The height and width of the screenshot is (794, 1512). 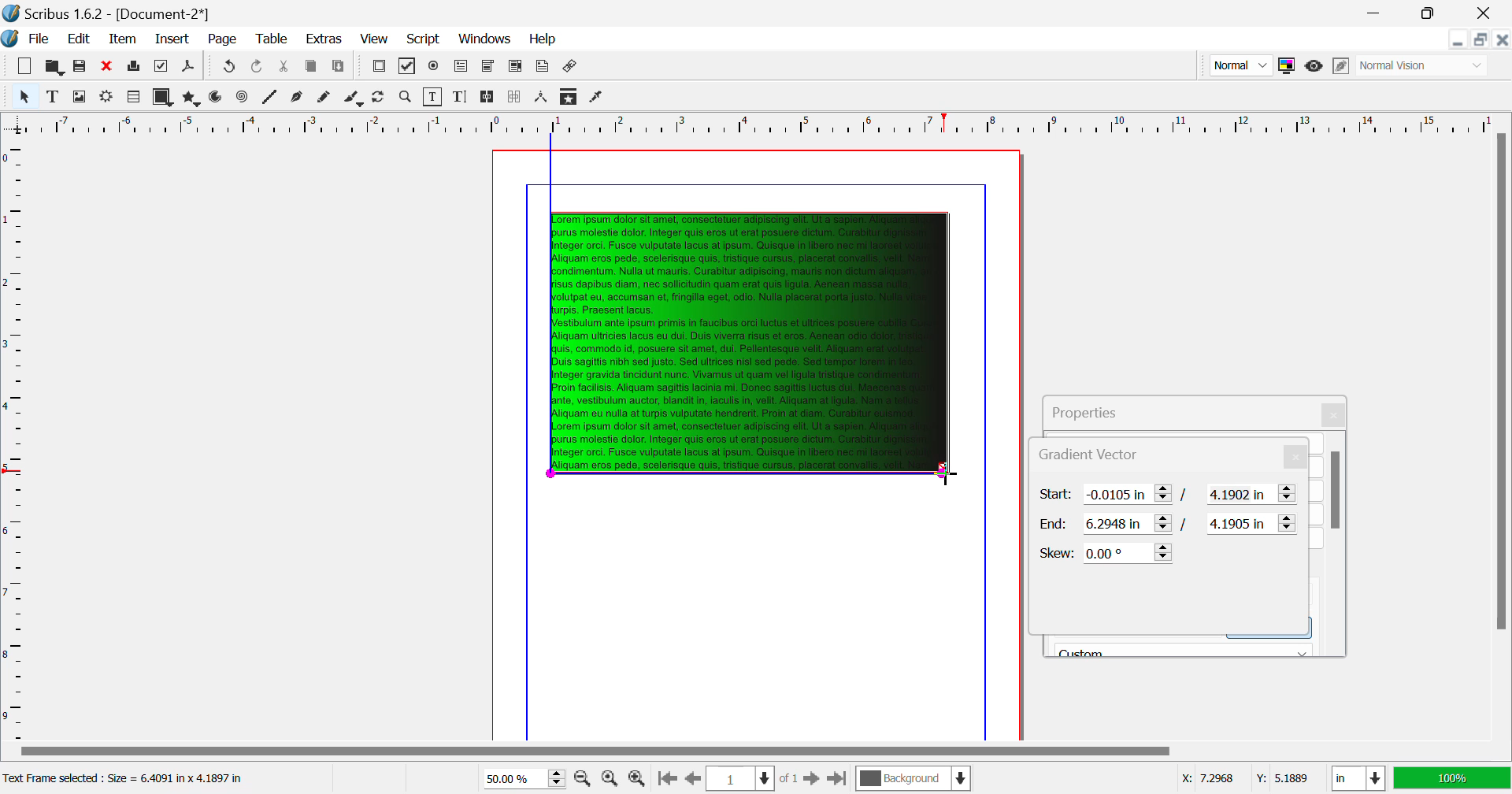 I want to click on View, so click(x=373, y=39).